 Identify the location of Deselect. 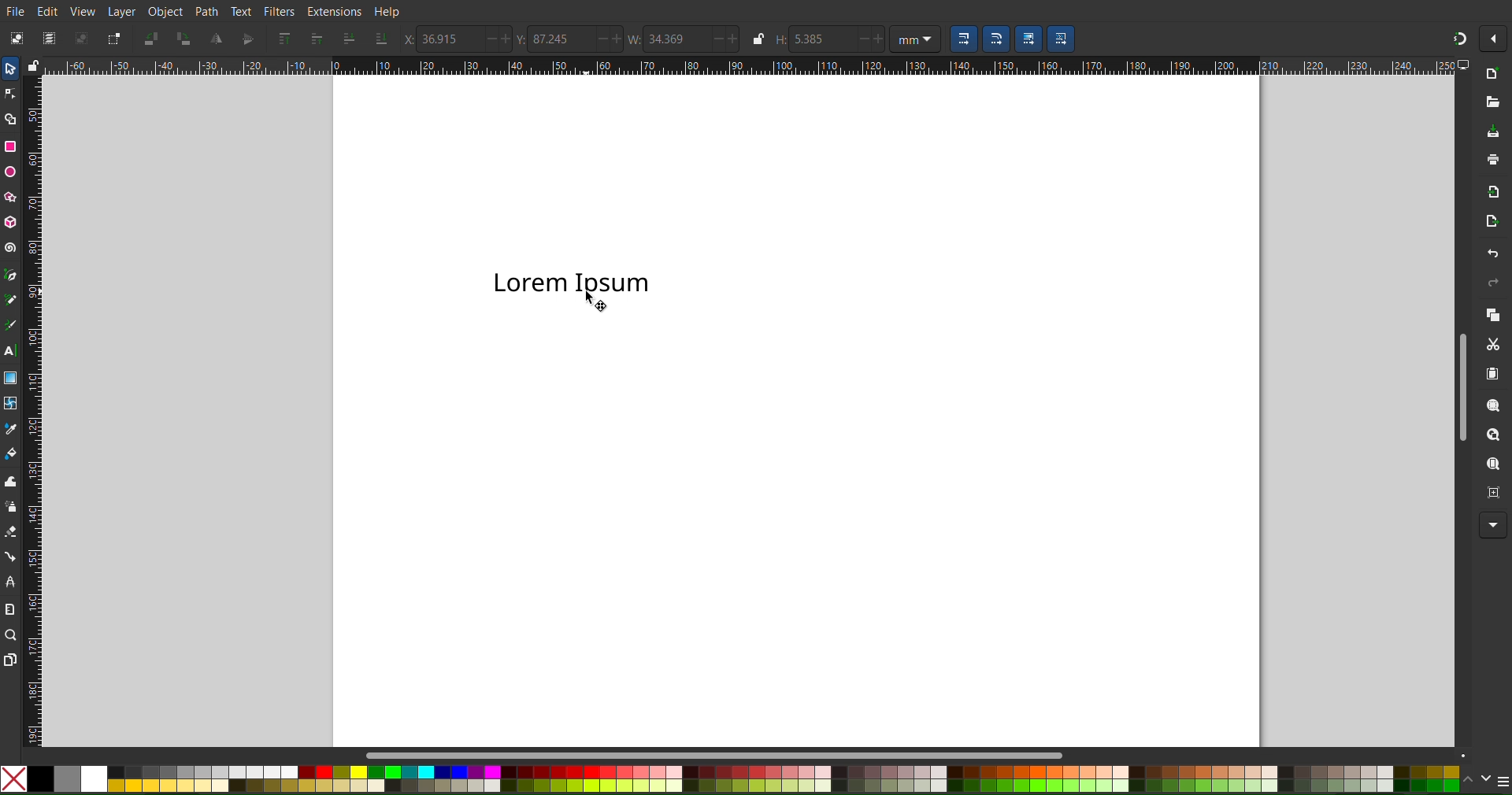
(81, 38).